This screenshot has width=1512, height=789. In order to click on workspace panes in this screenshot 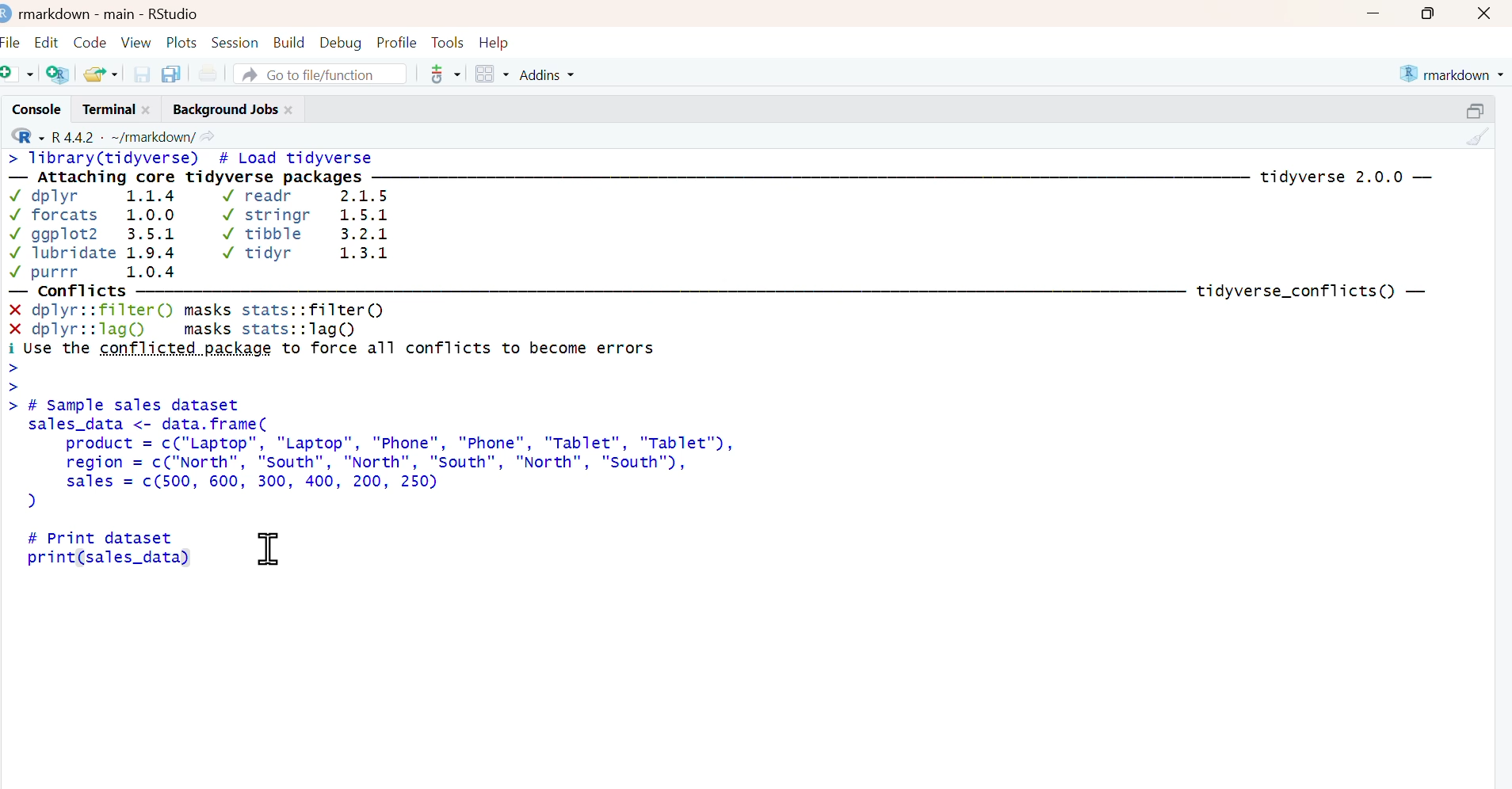, I will do `click(492, 74)`.